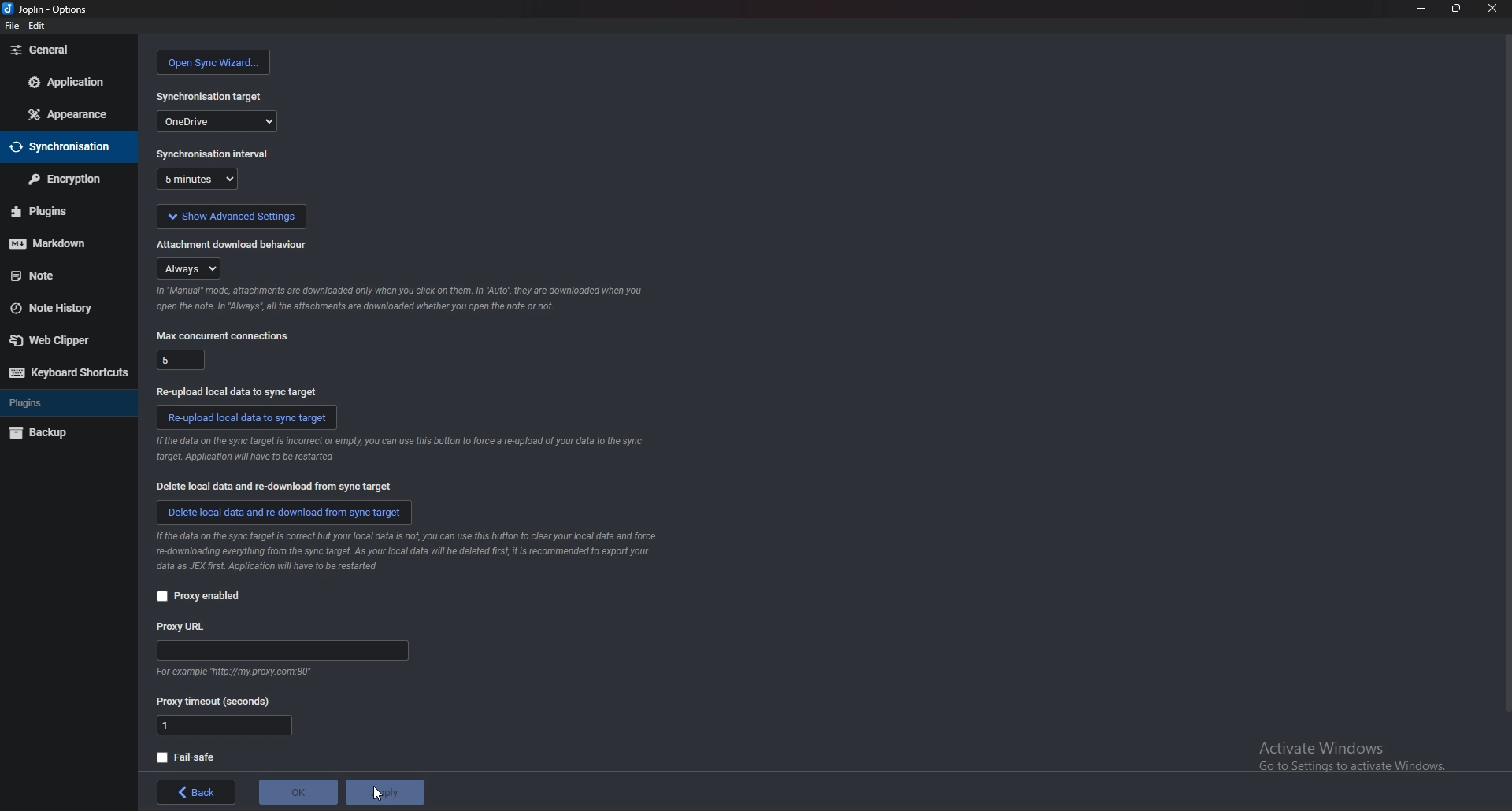 Image resolution: width=1512 pixels, height=811 pixels. I want to click on note history, so click(63, 306).